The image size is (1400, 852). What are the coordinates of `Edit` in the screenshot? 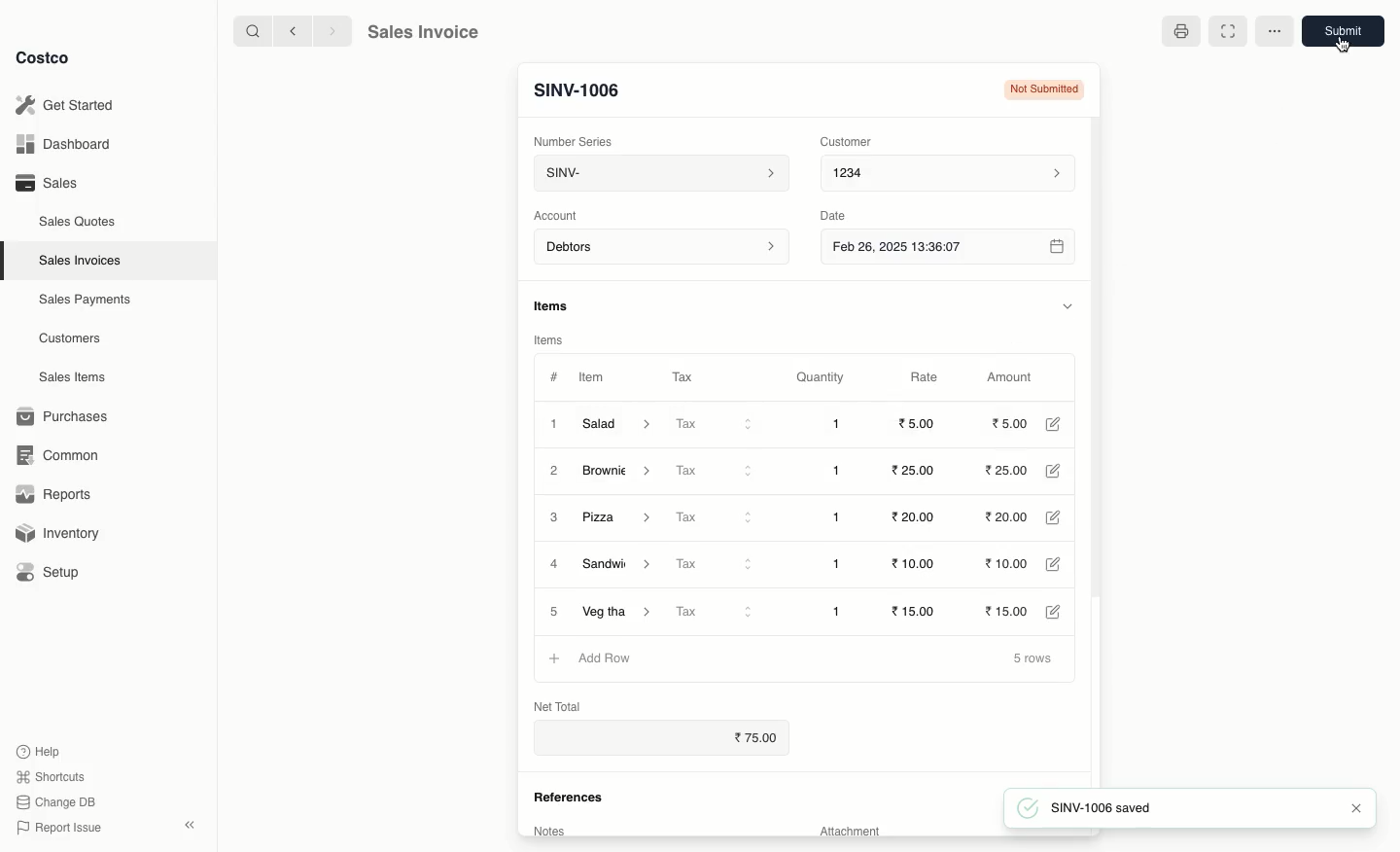 It's located at (1052, 424).